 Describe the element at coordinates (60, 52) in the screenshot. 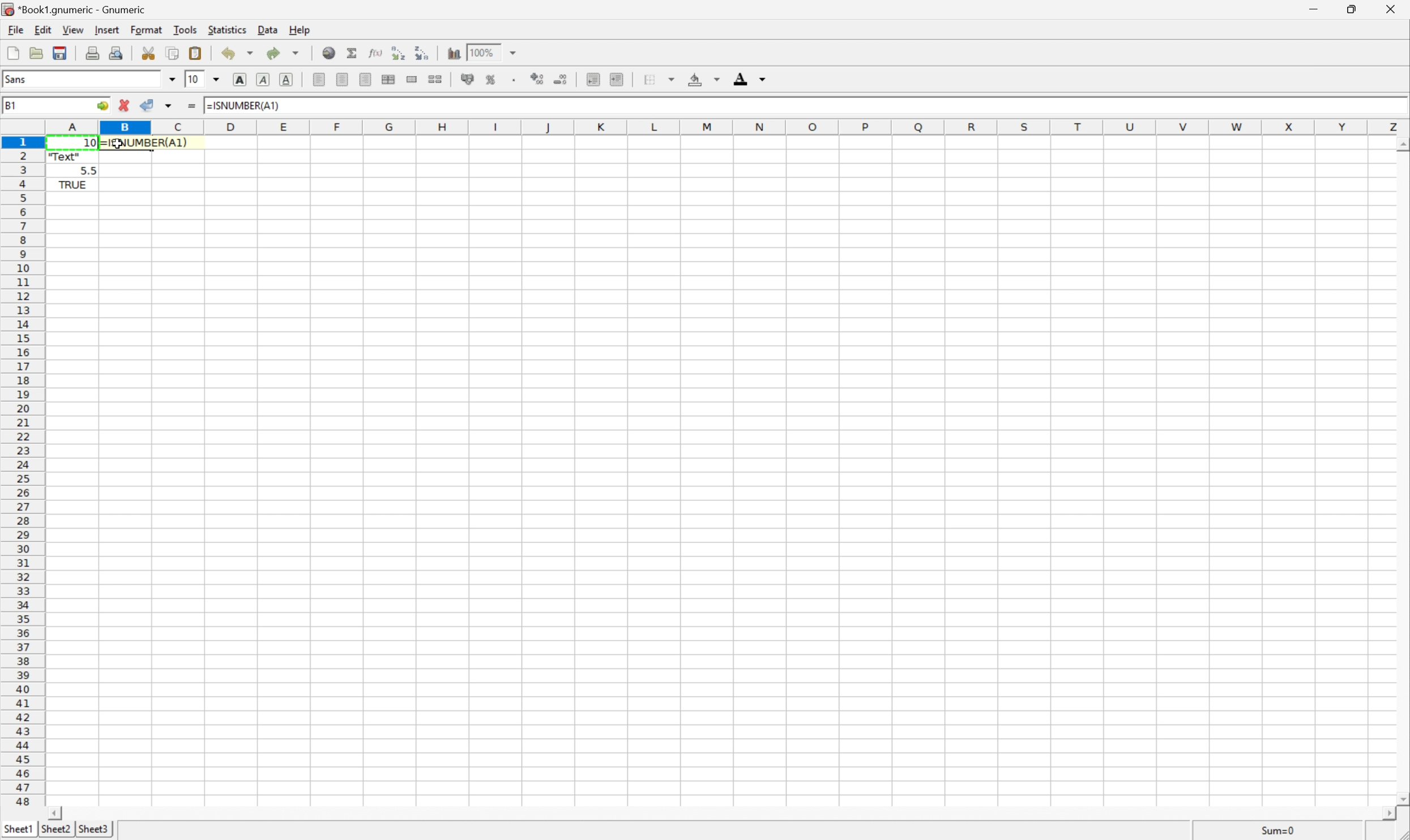

I see `Save current workbook` at that location.